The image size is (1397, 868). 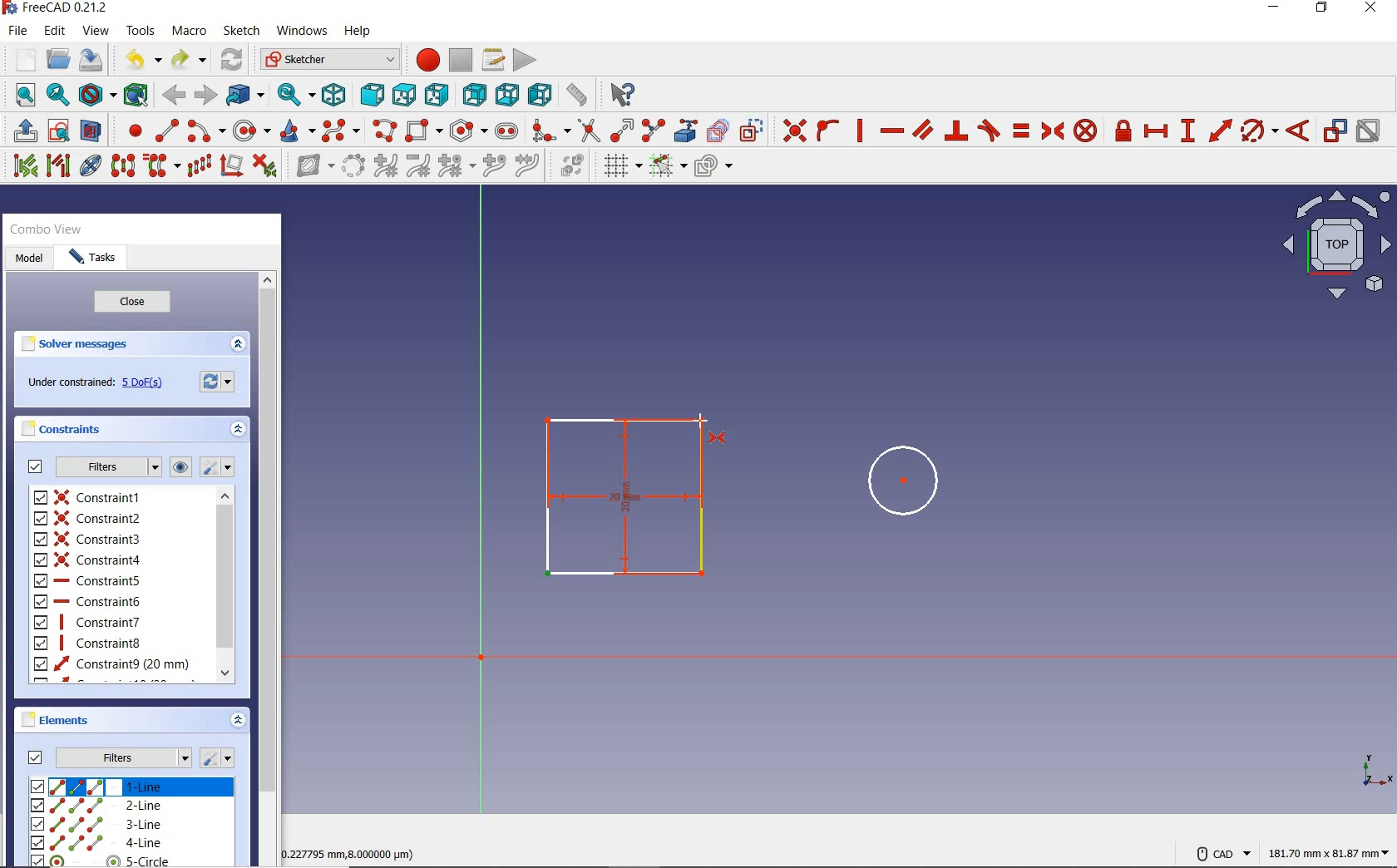 What do you see at coordinates (923, 129) in the screenshot?
I see `constrain parallel` at bounding box center [923, 129].